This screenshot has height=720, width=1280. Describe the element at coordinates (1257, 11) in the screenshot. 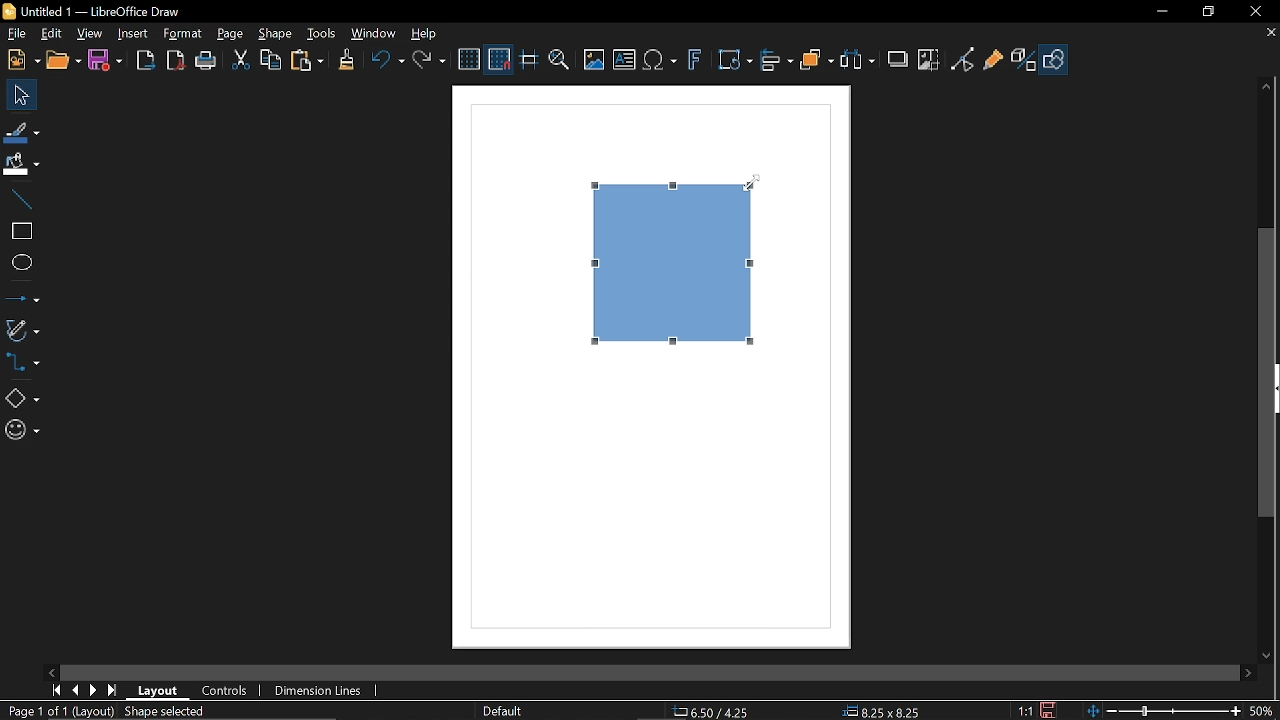

I see `Close` at that location.